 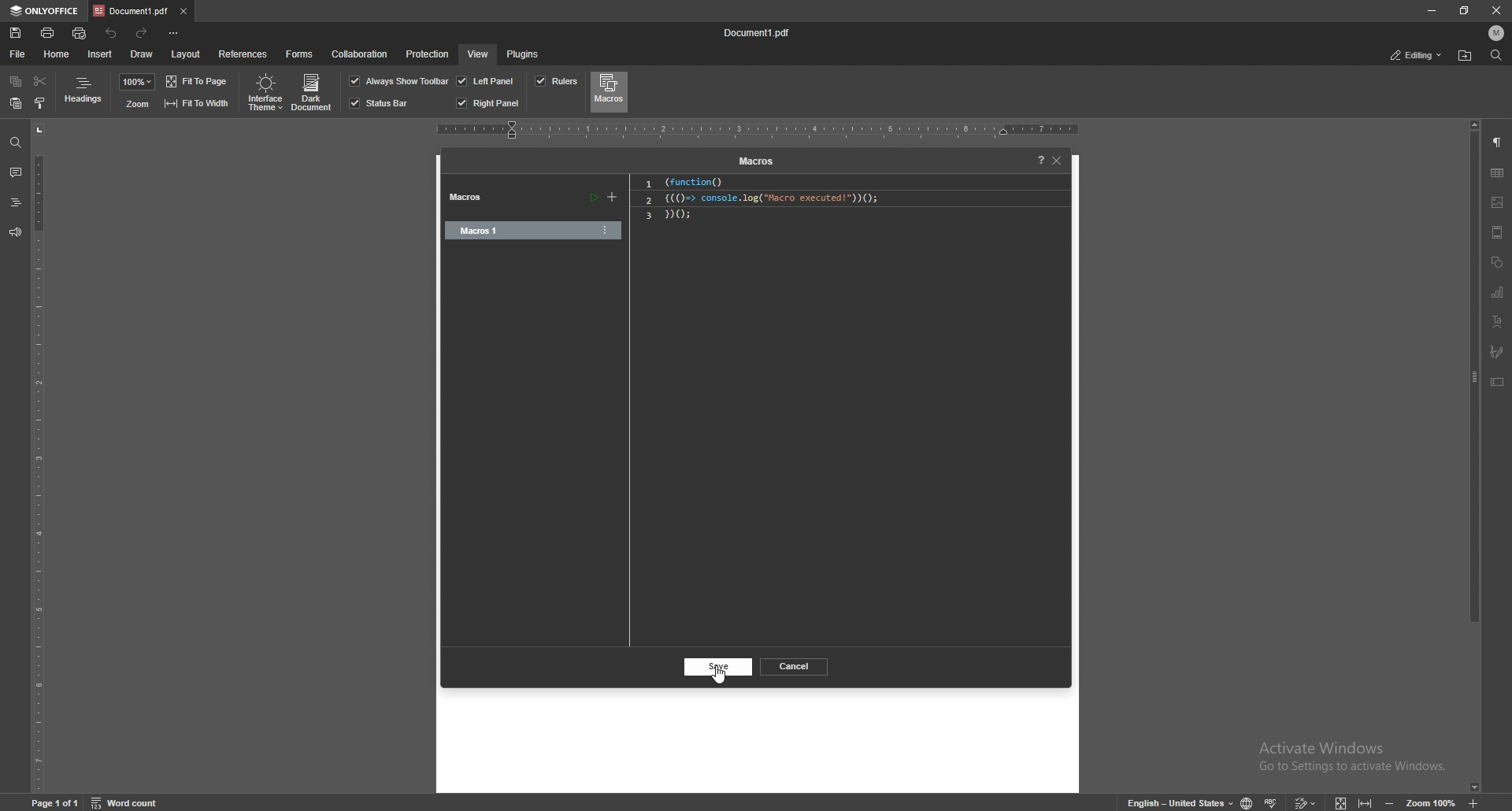 What do you see at coordinates (1392, 802) in the screenshot?
I see `zoom out` at bounding box center [1392, 802].